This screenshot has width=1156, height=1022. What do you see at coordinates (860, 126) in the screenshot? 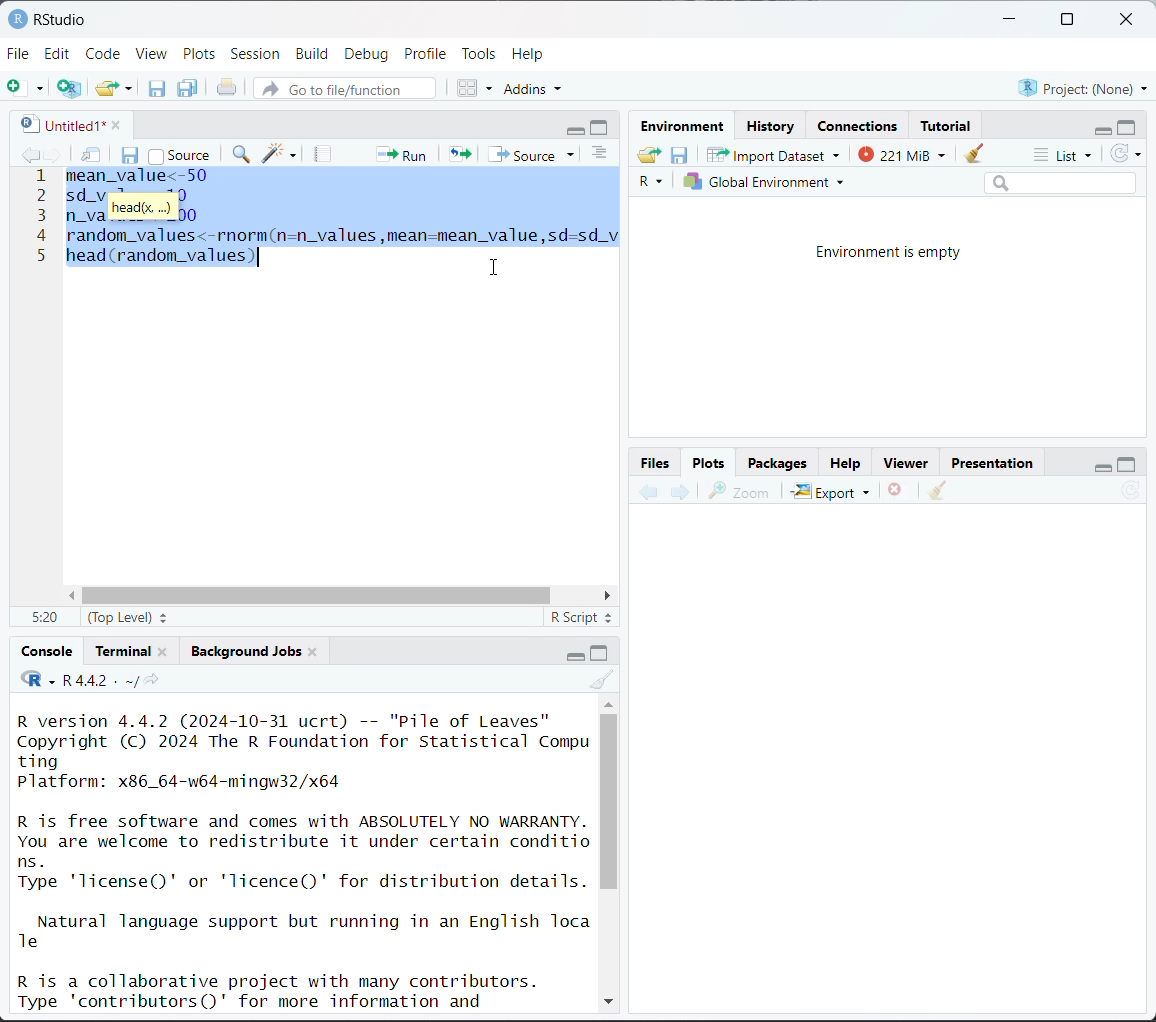
I see `Connections` at bounding box center [860, 126].